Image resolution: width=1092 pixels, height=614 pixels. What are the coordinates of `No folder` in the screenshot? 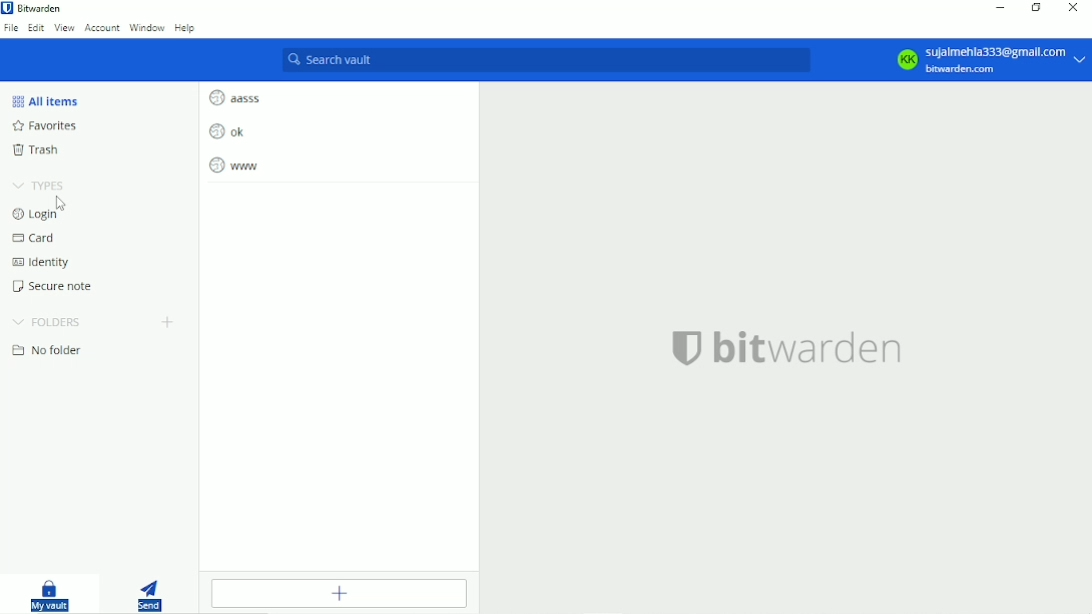 It's located at (49, 350).